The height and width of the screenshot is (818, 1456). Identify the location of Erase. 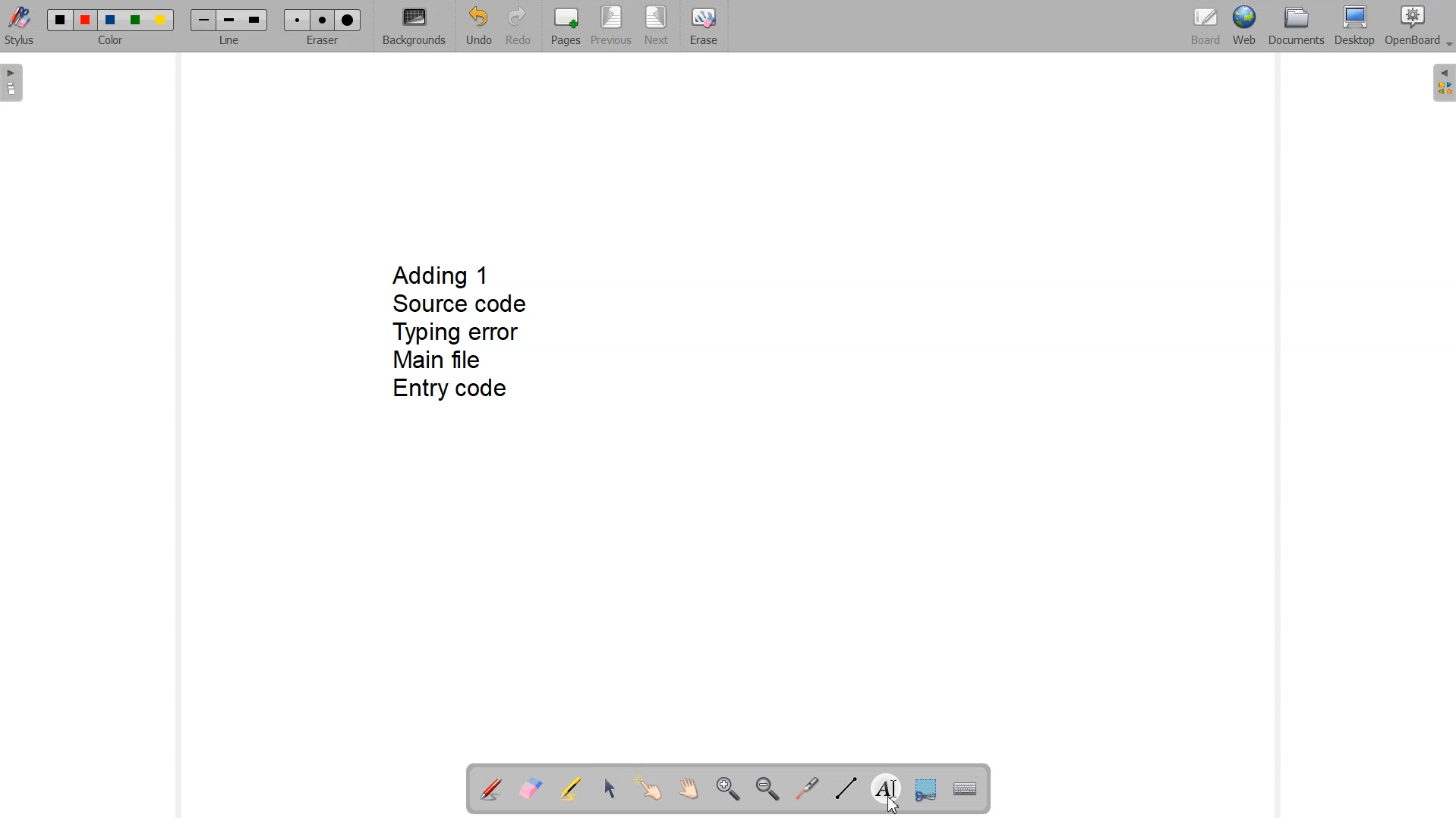
(704, 24).